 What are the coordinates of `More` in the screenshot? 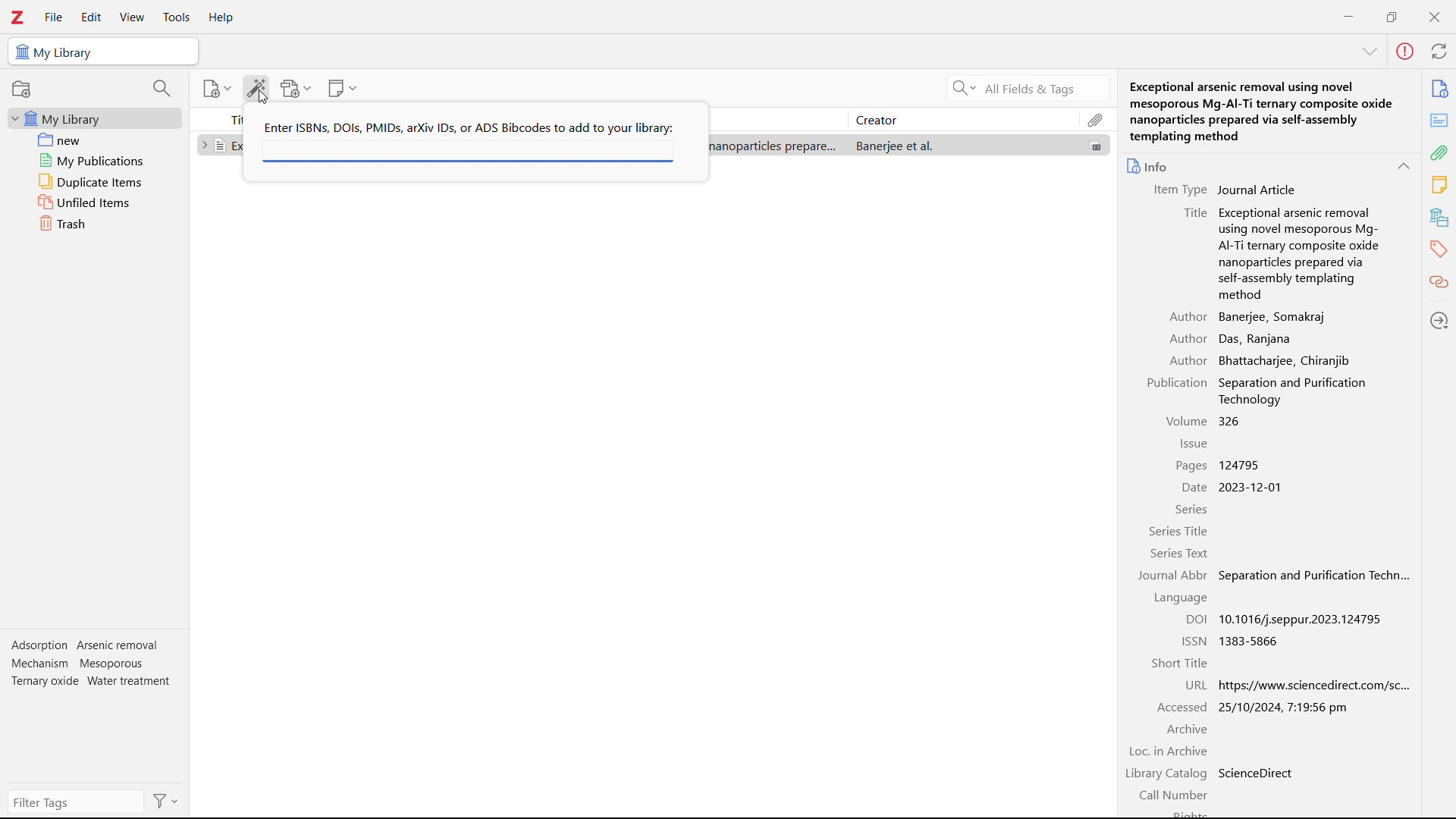 It's located at (1370, 52).